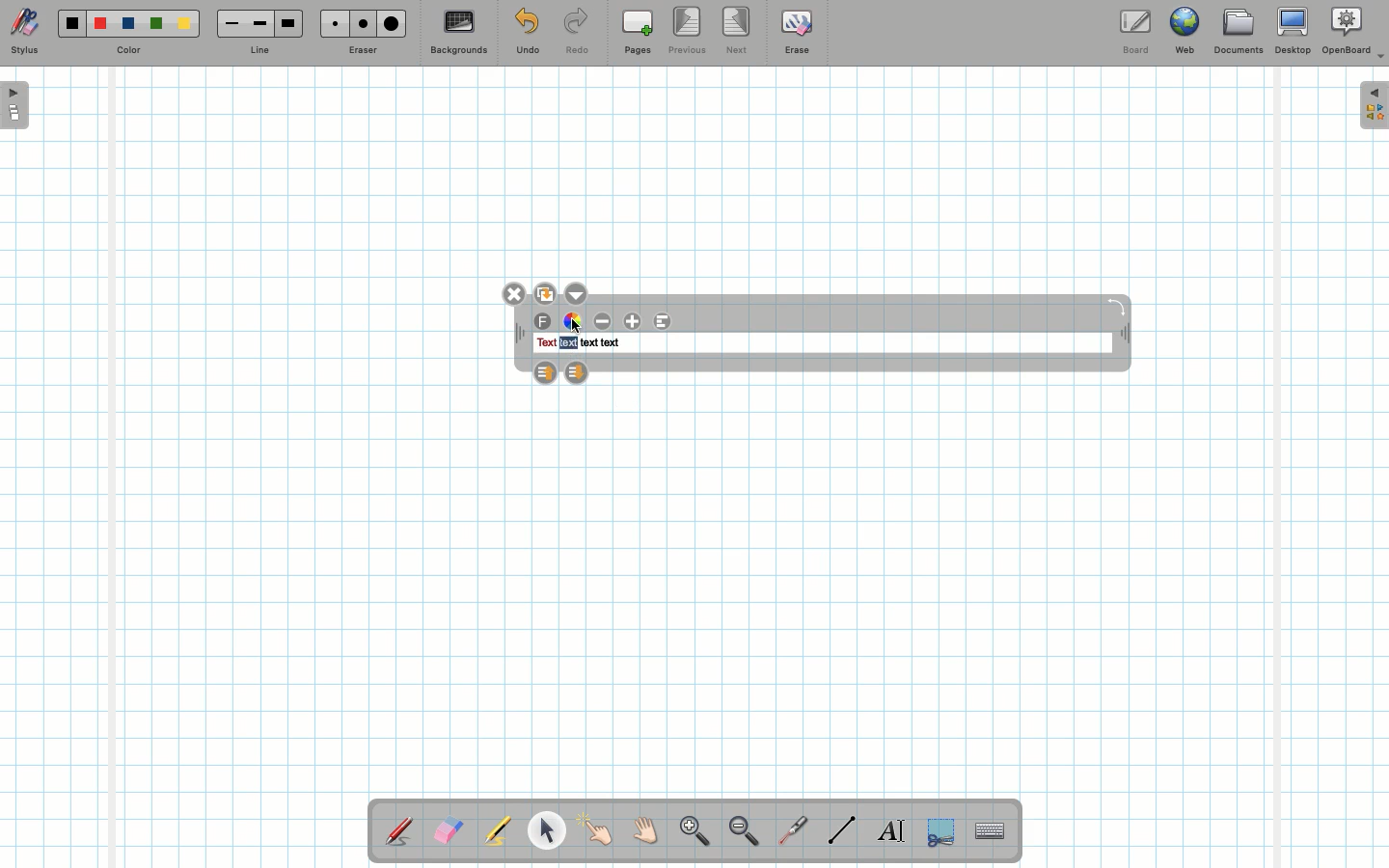 Image resolution: width=1389 pixels, height=868 pixels. I want to click on cursor, so click(576, 327).